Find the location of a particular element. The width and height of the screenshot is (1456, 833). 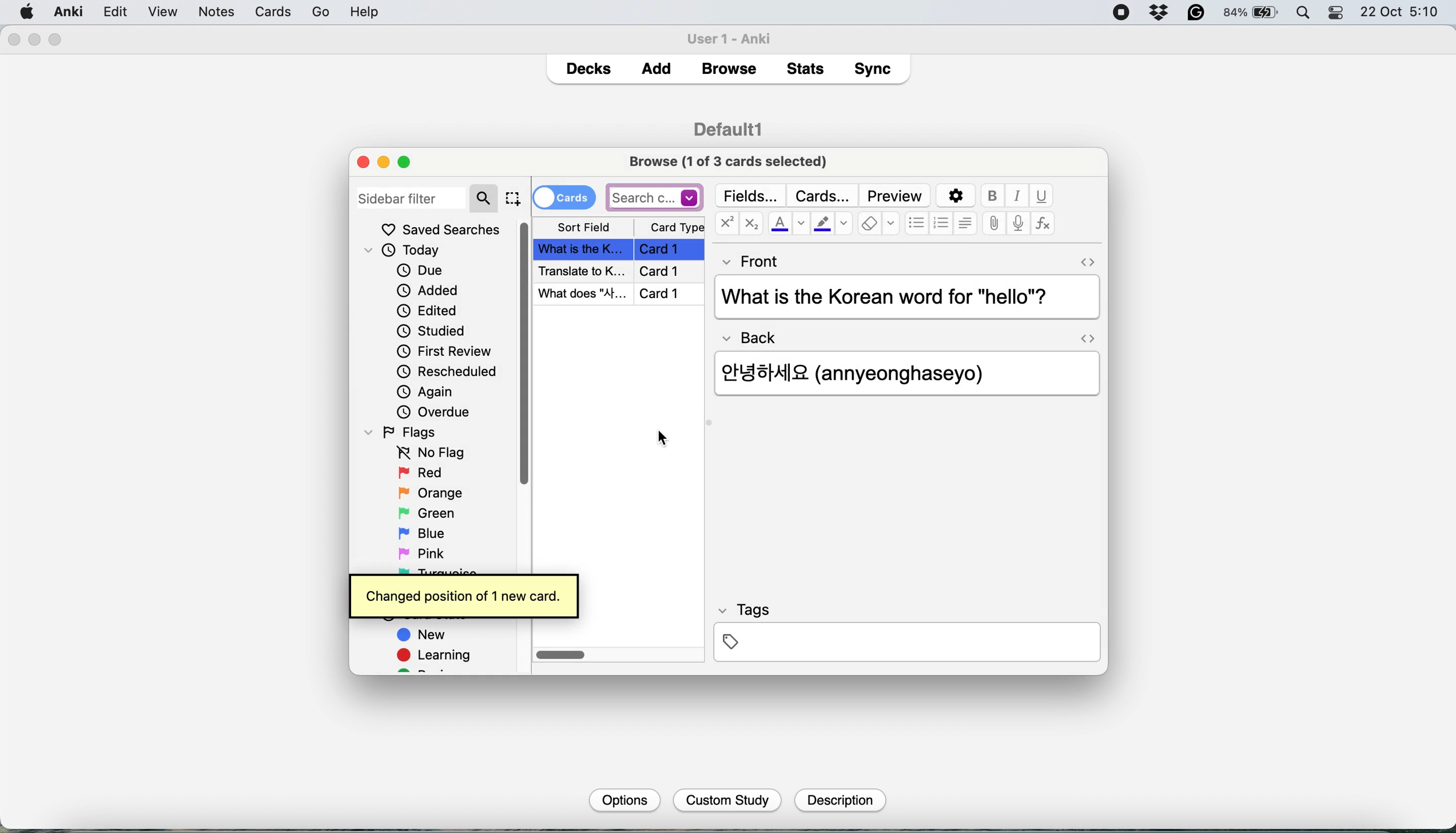

orange is located at coordinates (430, 493).